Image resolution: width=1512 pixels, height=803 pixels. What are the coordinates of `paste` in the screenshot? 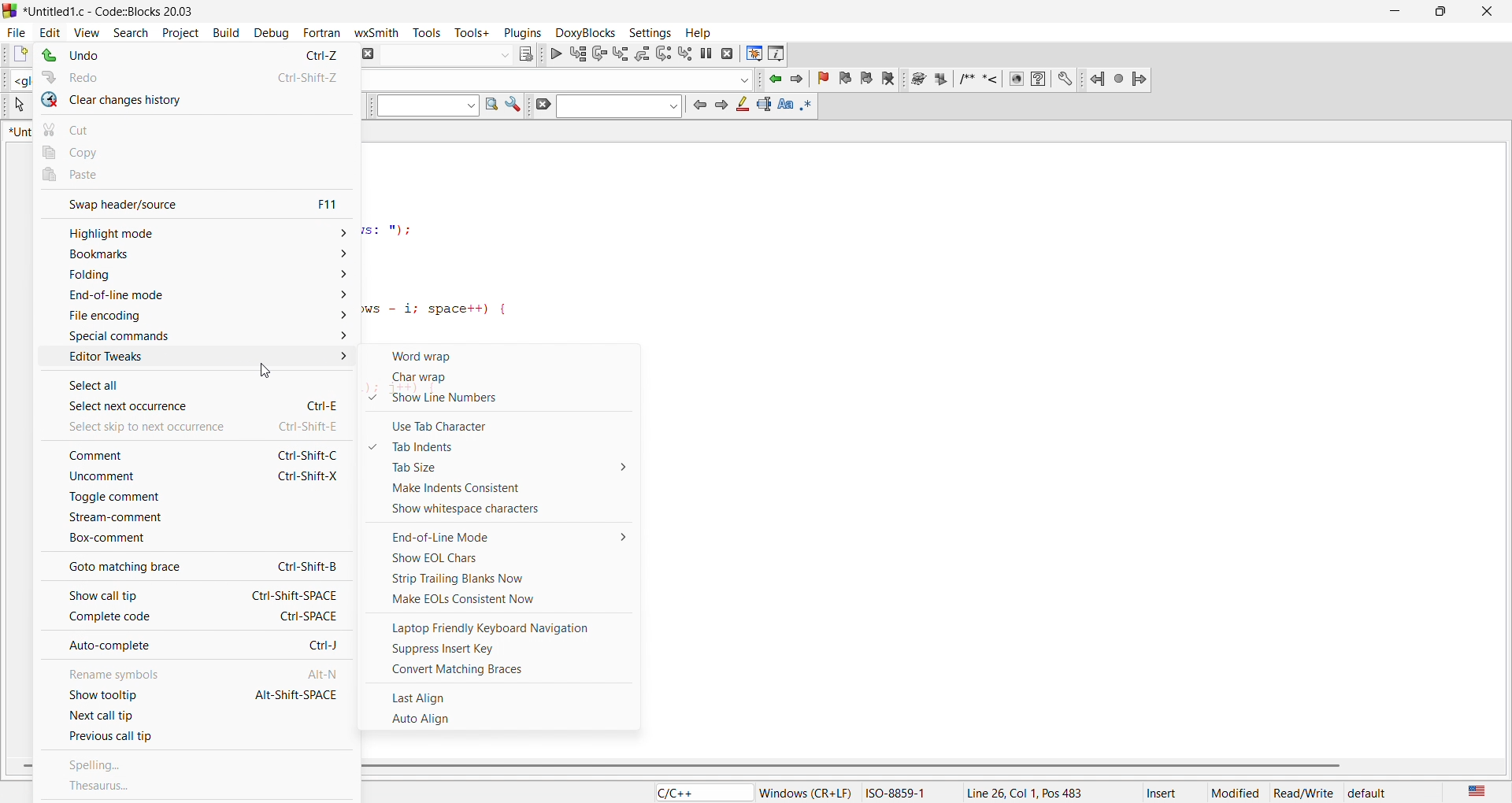 It's located at (198, 176).